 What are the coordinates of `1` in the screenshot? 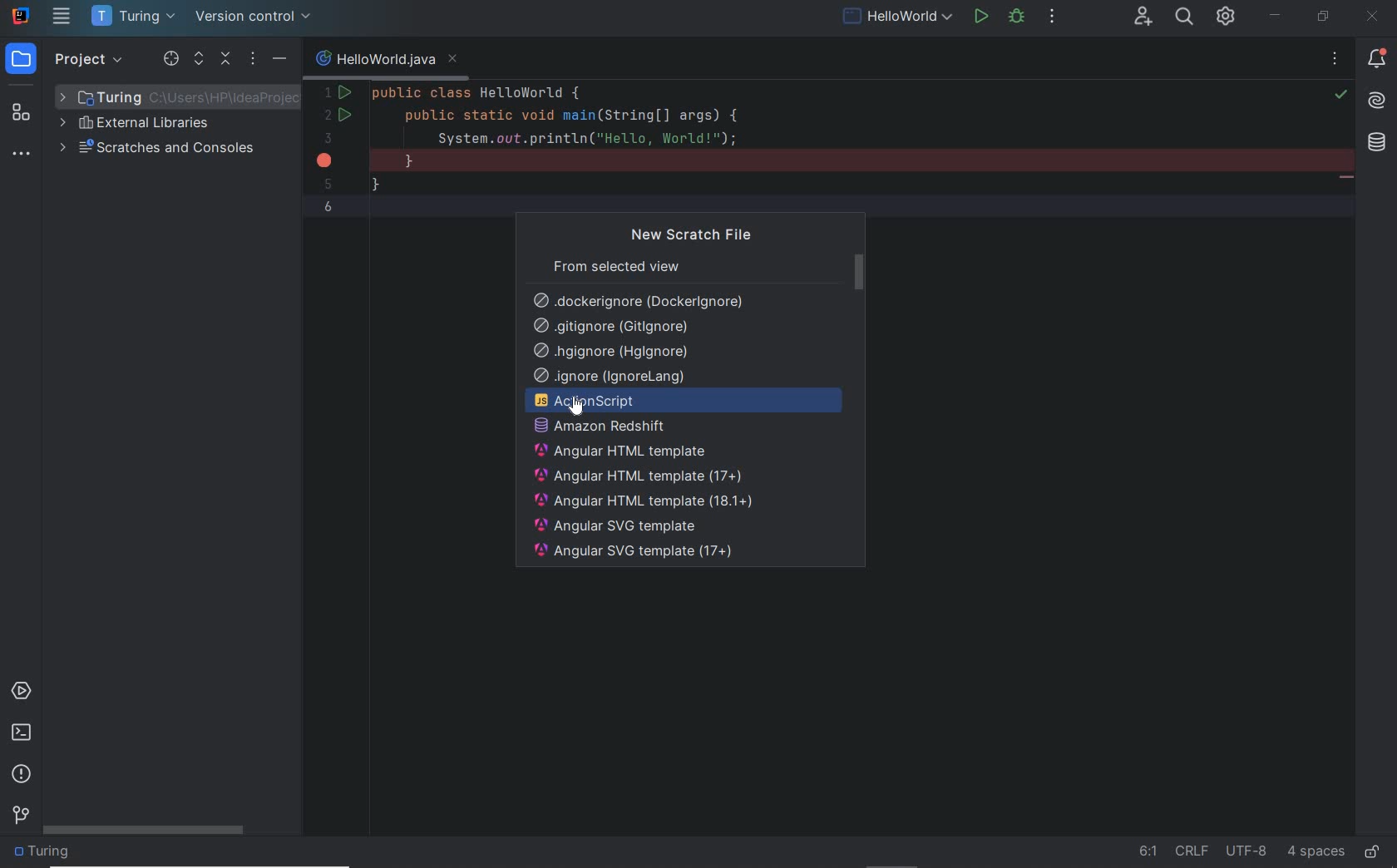 It's located at (327, 92).